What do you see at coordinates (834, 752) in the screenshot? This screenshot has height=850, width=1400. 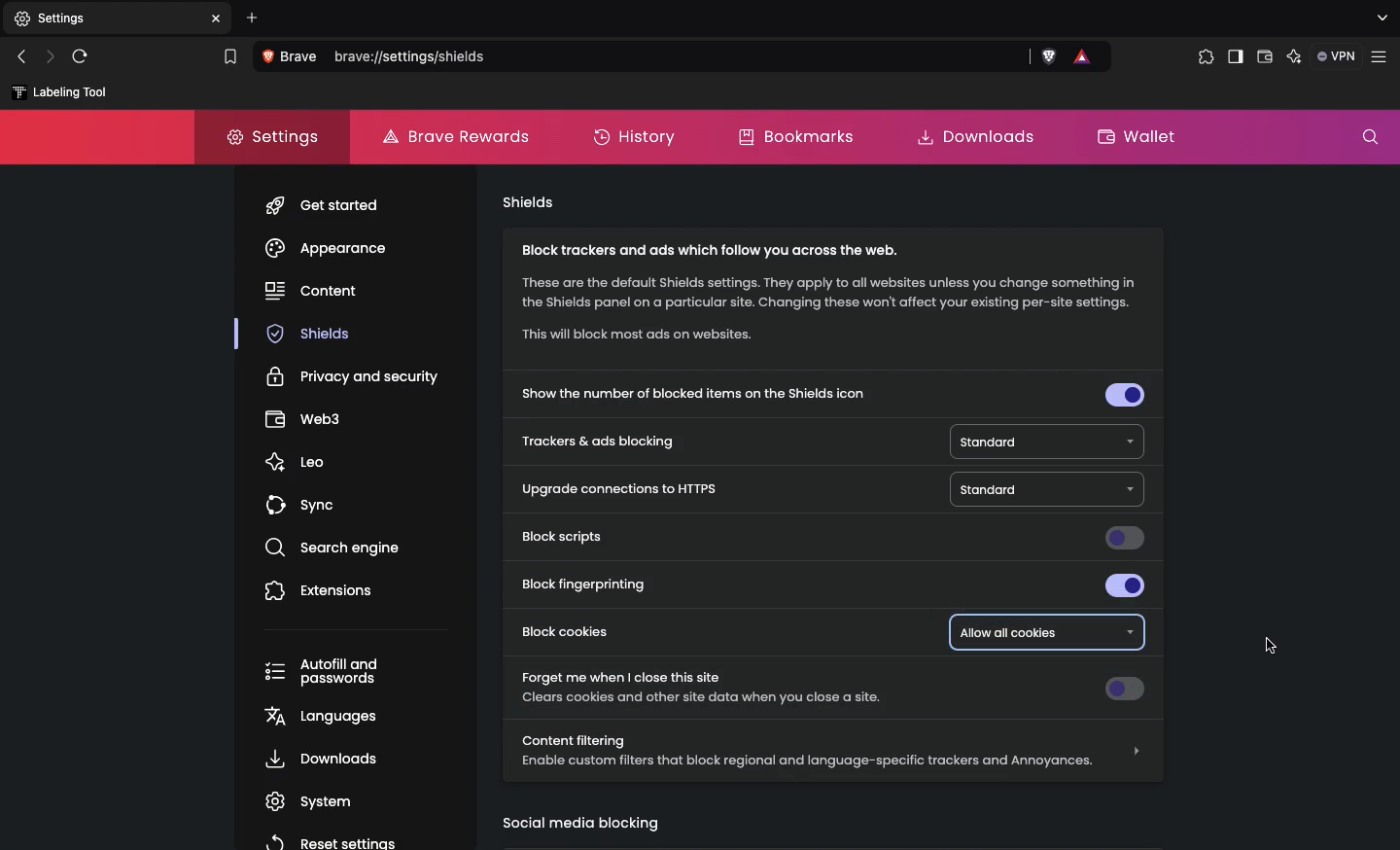 I see `Content filtering Enable custom filters that block regional and language-specific trackers and Annoyances.` at bounding box center [834, 752].